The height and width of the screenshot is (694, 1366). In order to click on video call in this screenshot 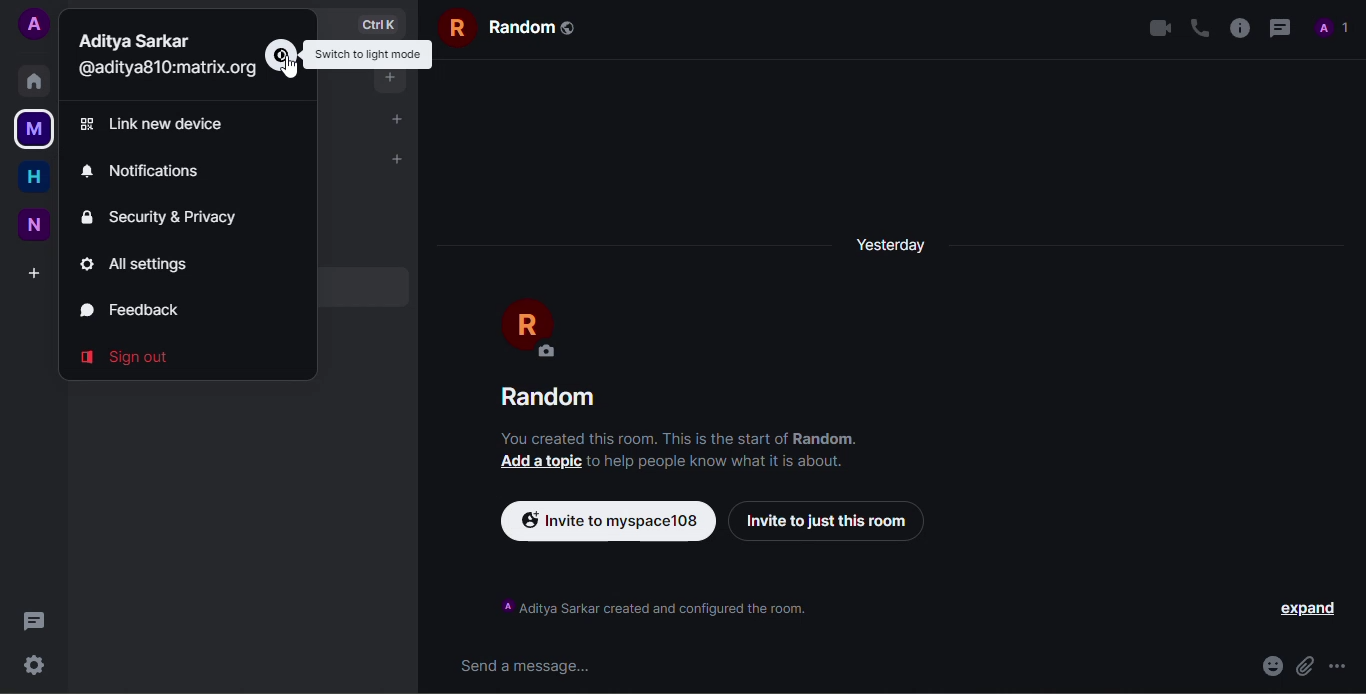, I will do `click(1159, 27)`.